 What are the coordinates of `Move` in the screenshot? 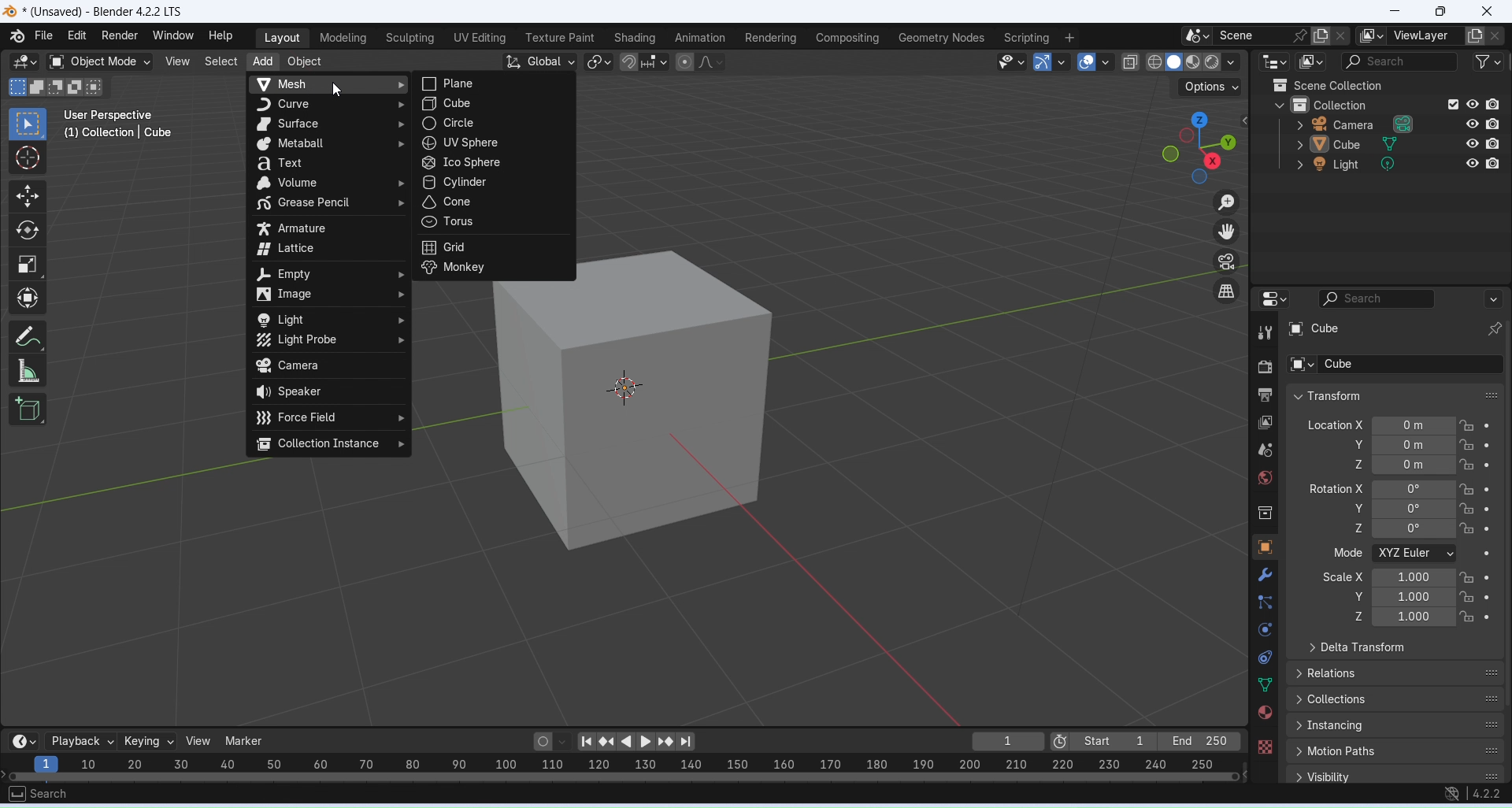 It's located at (27, 197).